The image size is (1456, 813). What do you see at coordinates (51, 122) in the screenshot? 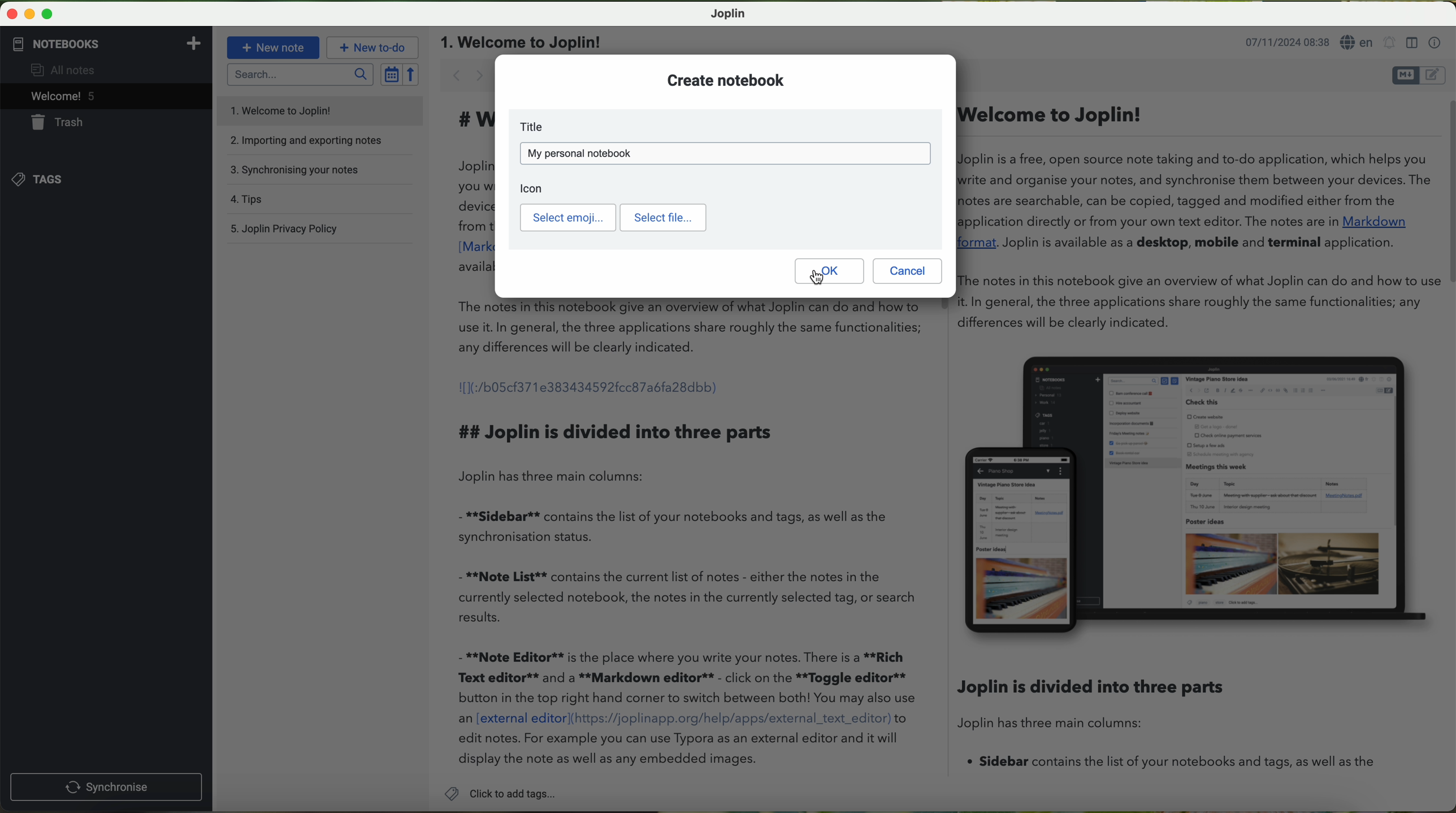
I see `trash` at bounding box center [51, 122].